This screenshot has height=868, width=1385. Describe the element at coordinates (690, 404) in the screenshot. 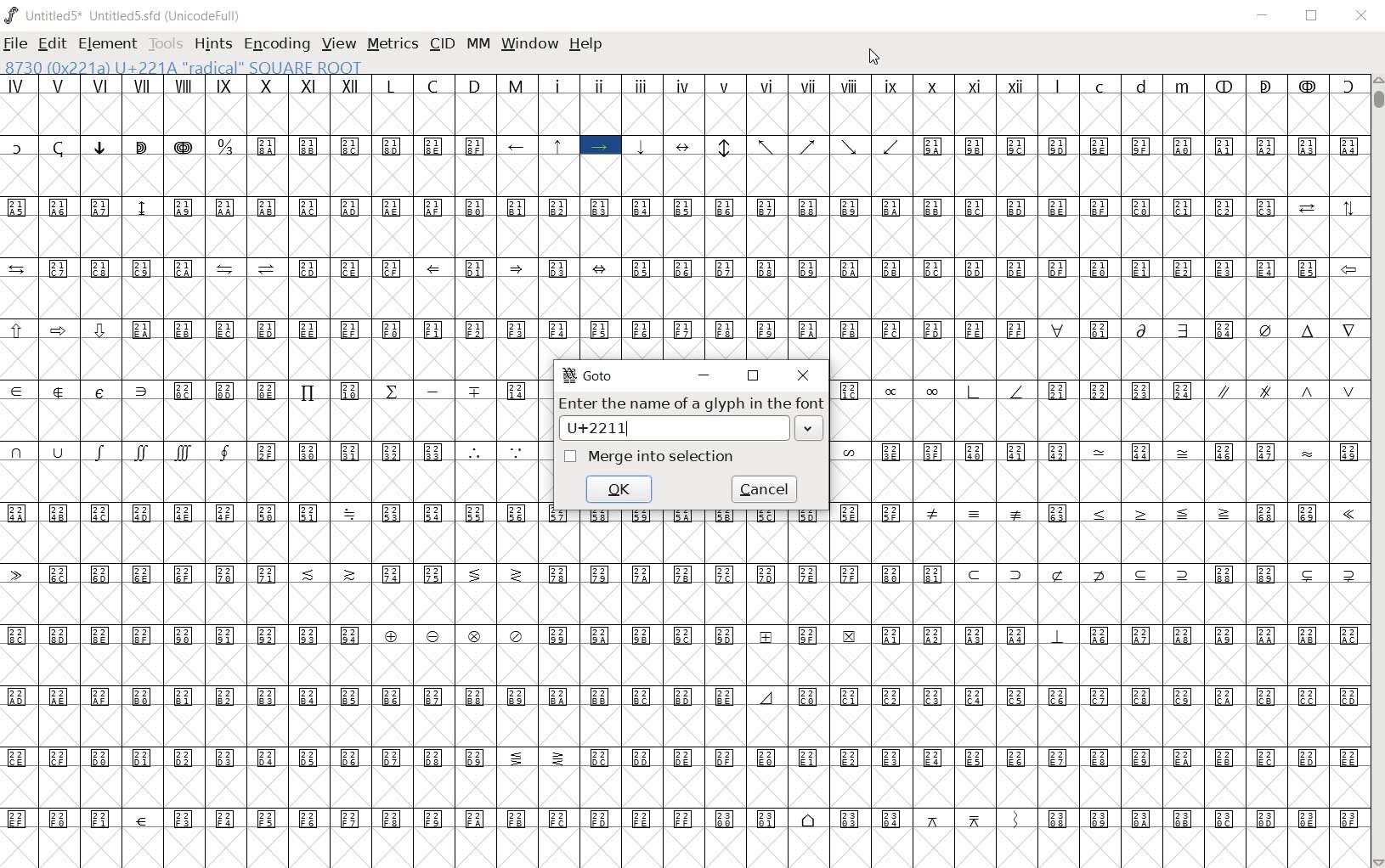

I see `Enter the name of a glyph in the font` at that location.